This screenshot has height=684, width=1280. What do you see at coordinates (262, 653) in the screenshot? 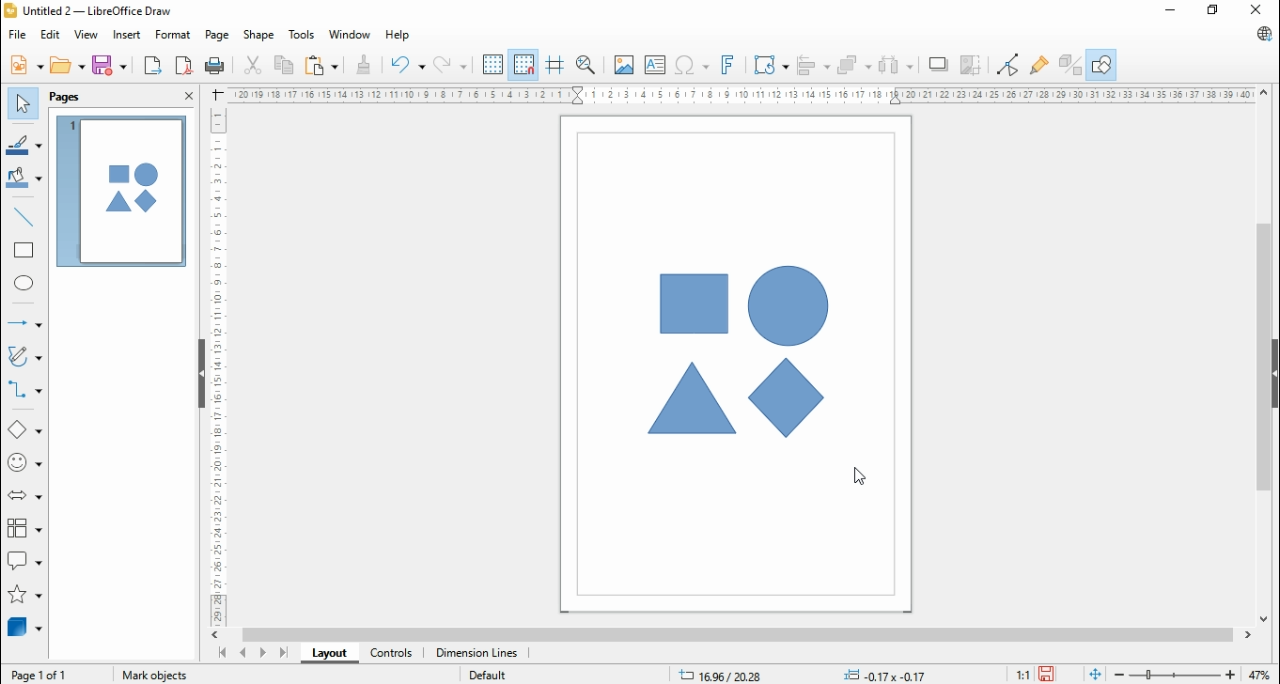
I see `next page` at bounding box center [262, 653].